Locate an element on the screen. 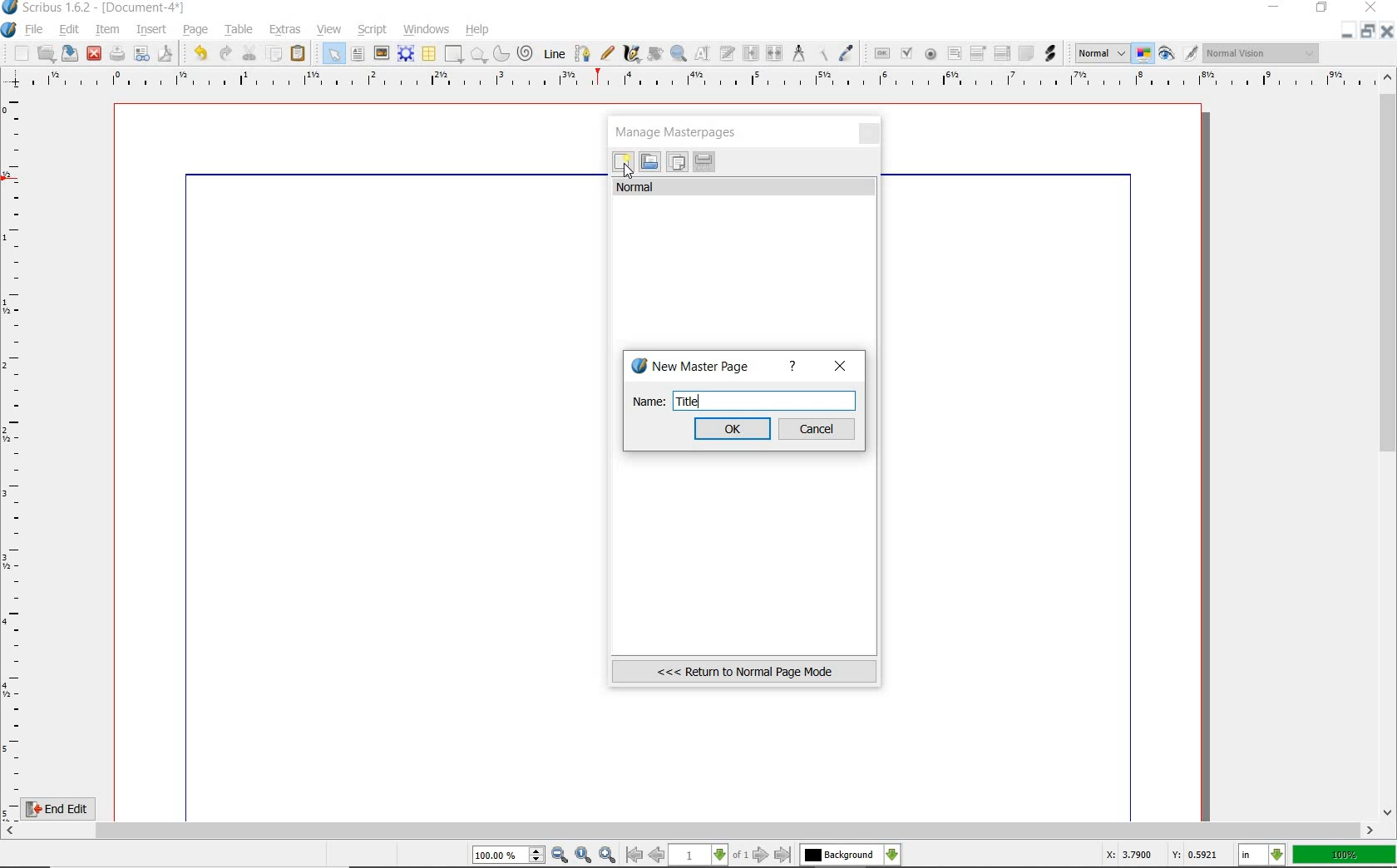  link annotation is located at coordinates (1050, 52).